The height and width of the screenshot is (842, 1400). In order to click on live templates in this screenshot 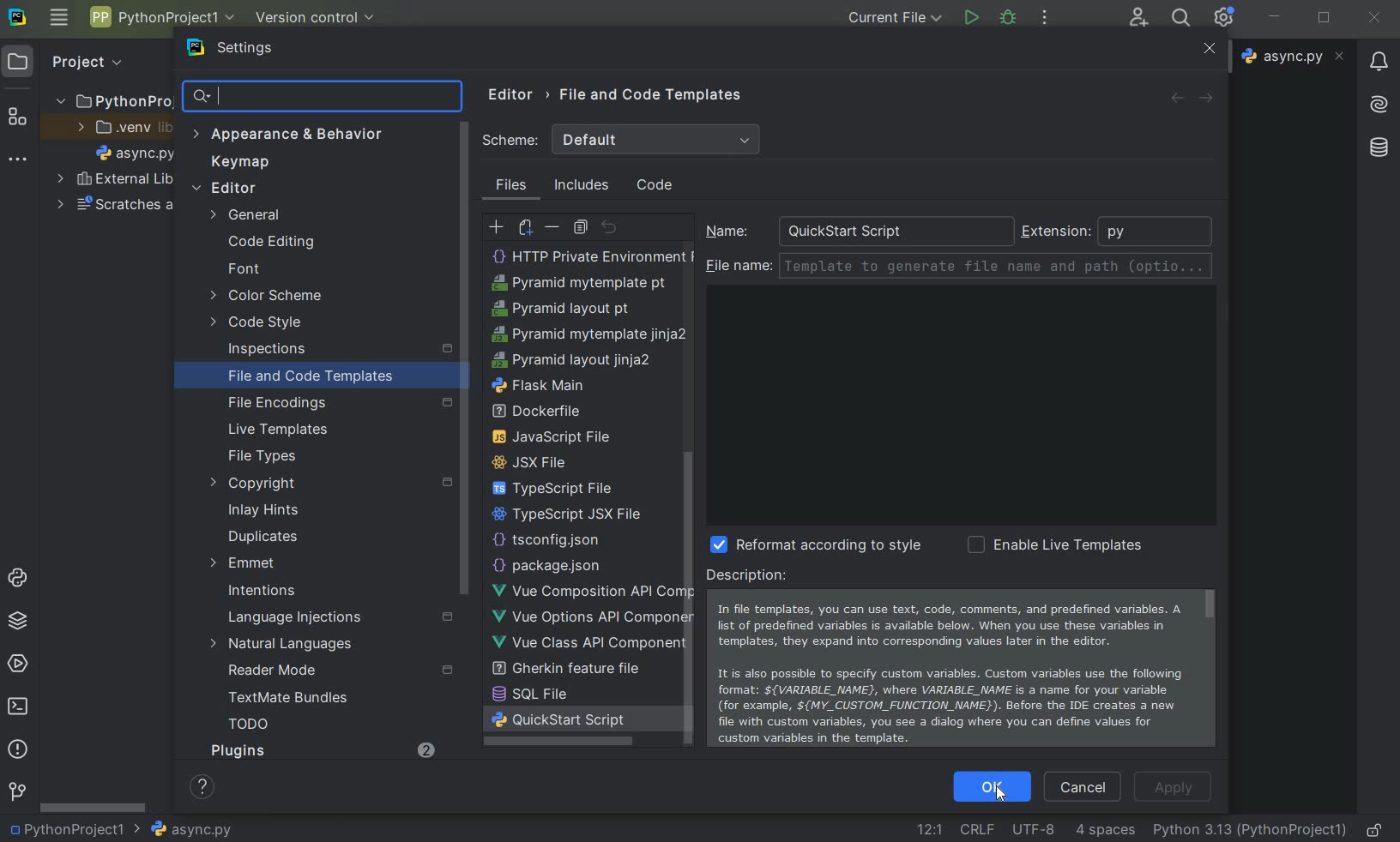, I will do `click(290, 430)`.